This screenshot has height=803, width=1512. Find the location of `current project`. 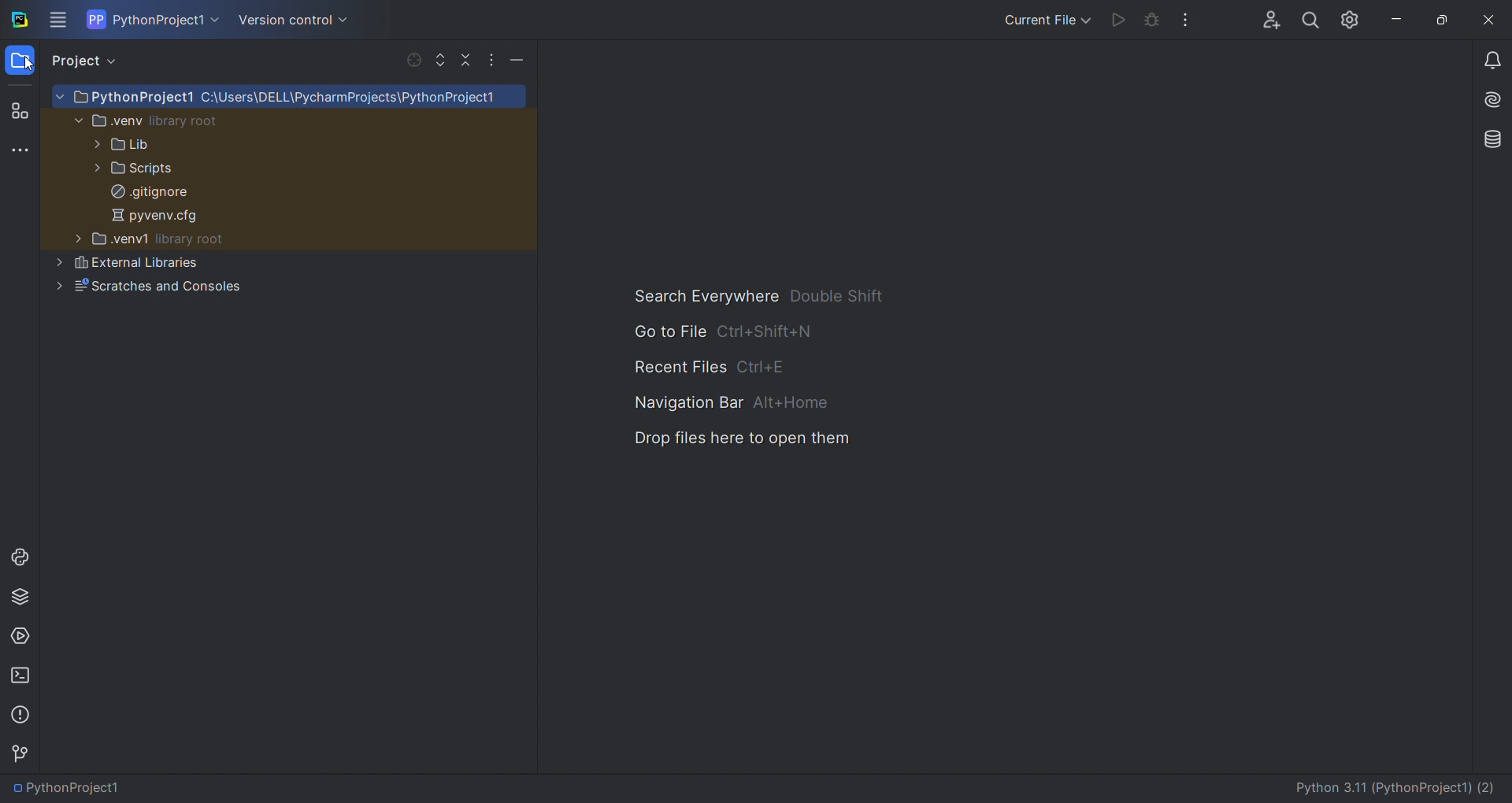

current project is located at coordinates (156, 20).